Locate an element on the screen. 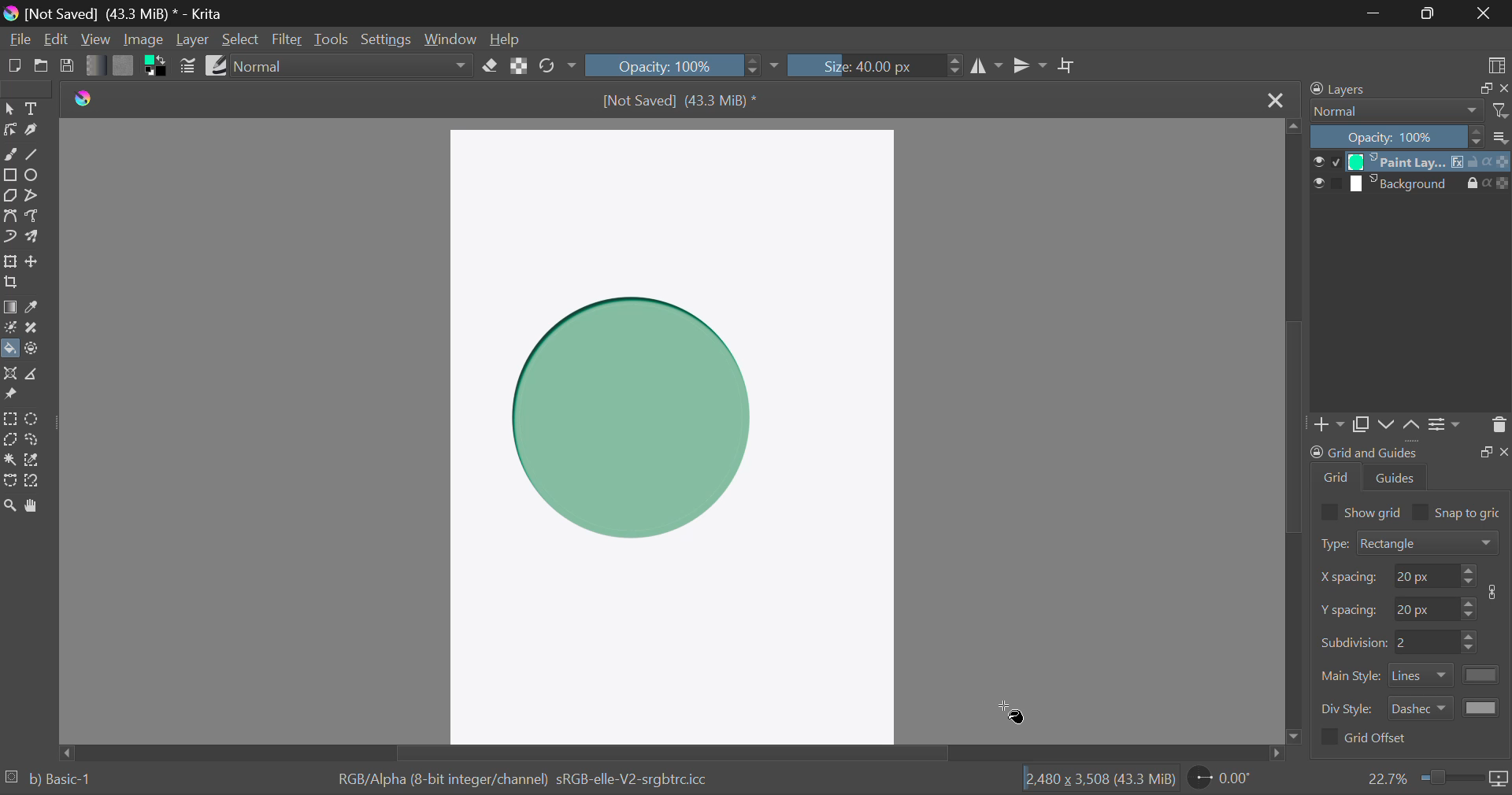 This screenshot has width=1512, height=795. Freehand Path Tool is located at coordinates (33, 215).